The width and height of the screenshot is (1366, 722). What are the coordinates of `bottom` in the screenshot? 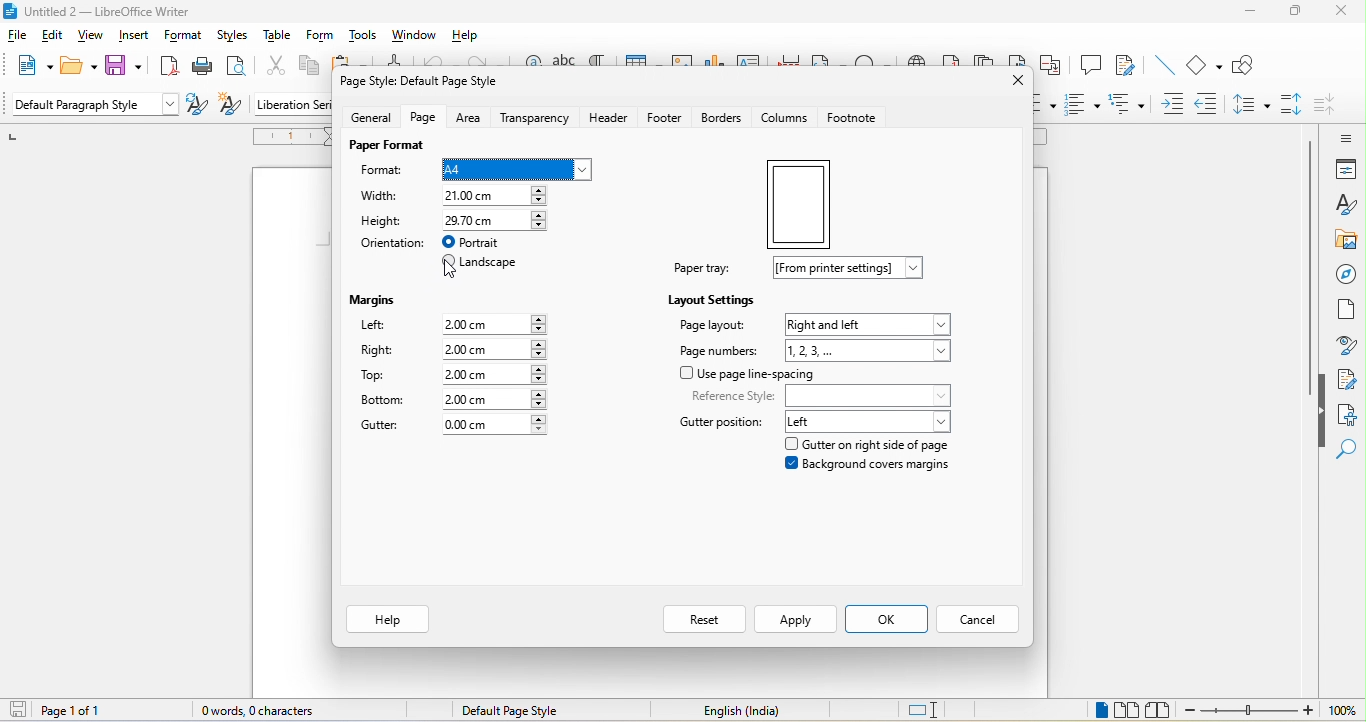 It's located at (387, 402).